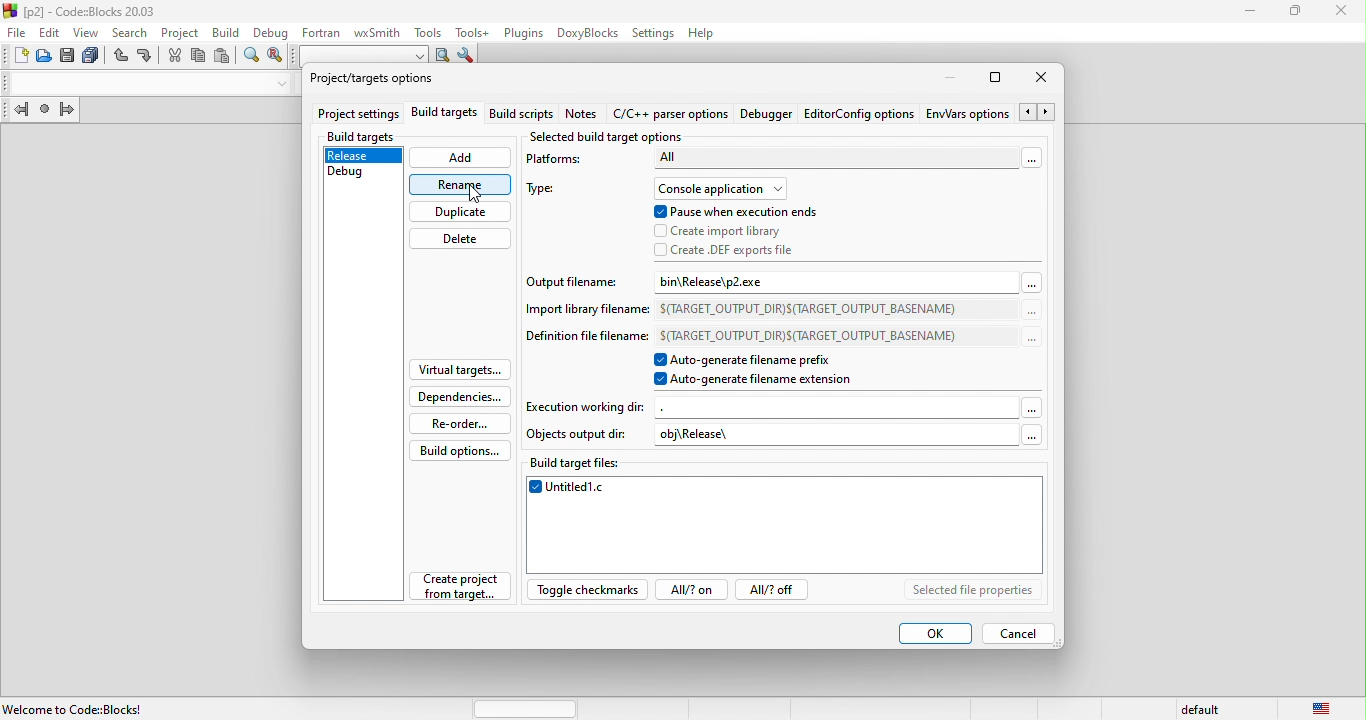 The width and height of the screenshot is (1366, 720). What do you see at coordinates (787, 527) in the screenshot?
I see `untitled` at bounding box center [787, 527].